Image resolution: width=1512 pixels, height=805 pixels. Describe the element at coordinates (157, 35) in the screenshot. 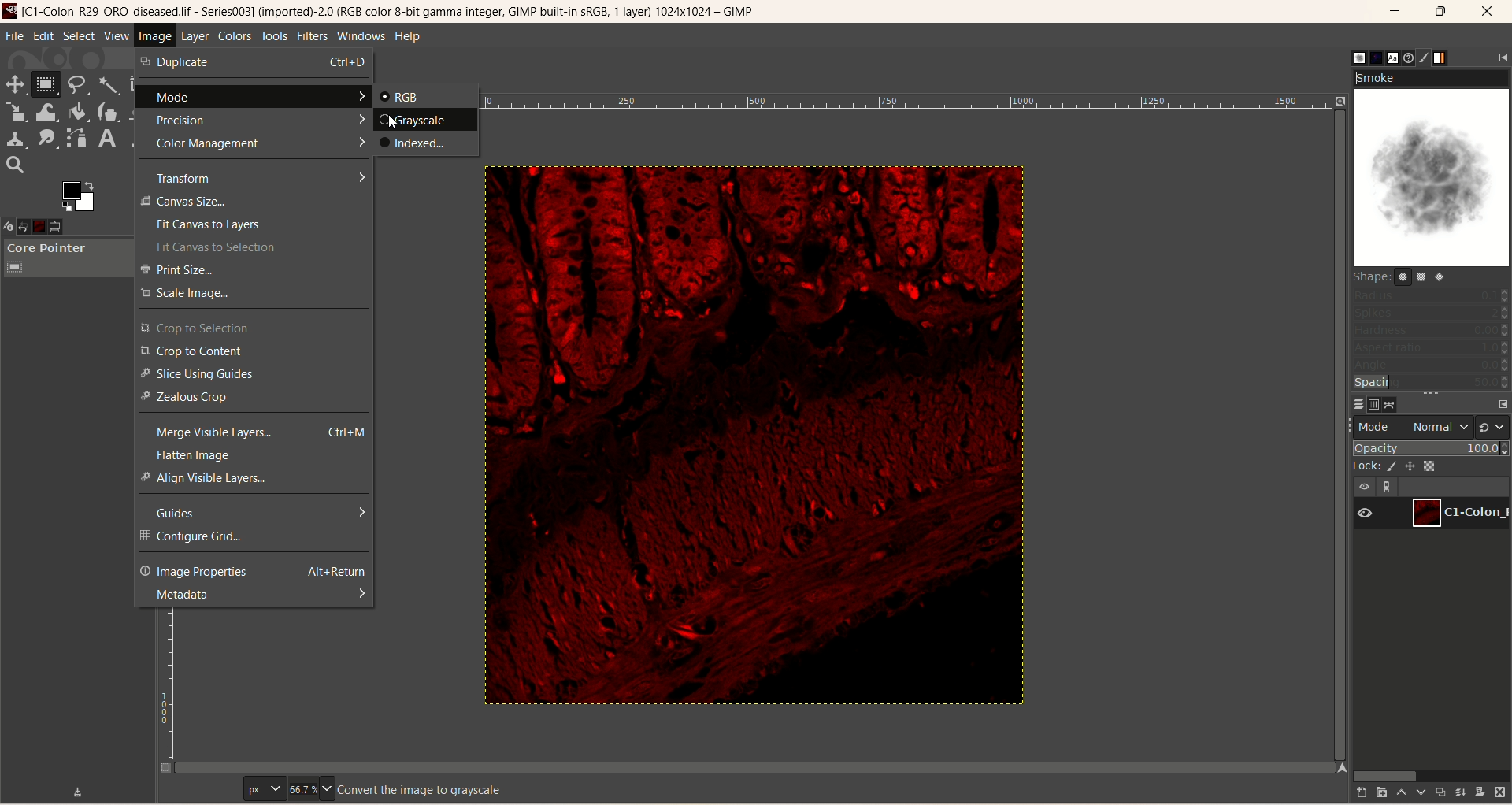

I see `image` at that location.